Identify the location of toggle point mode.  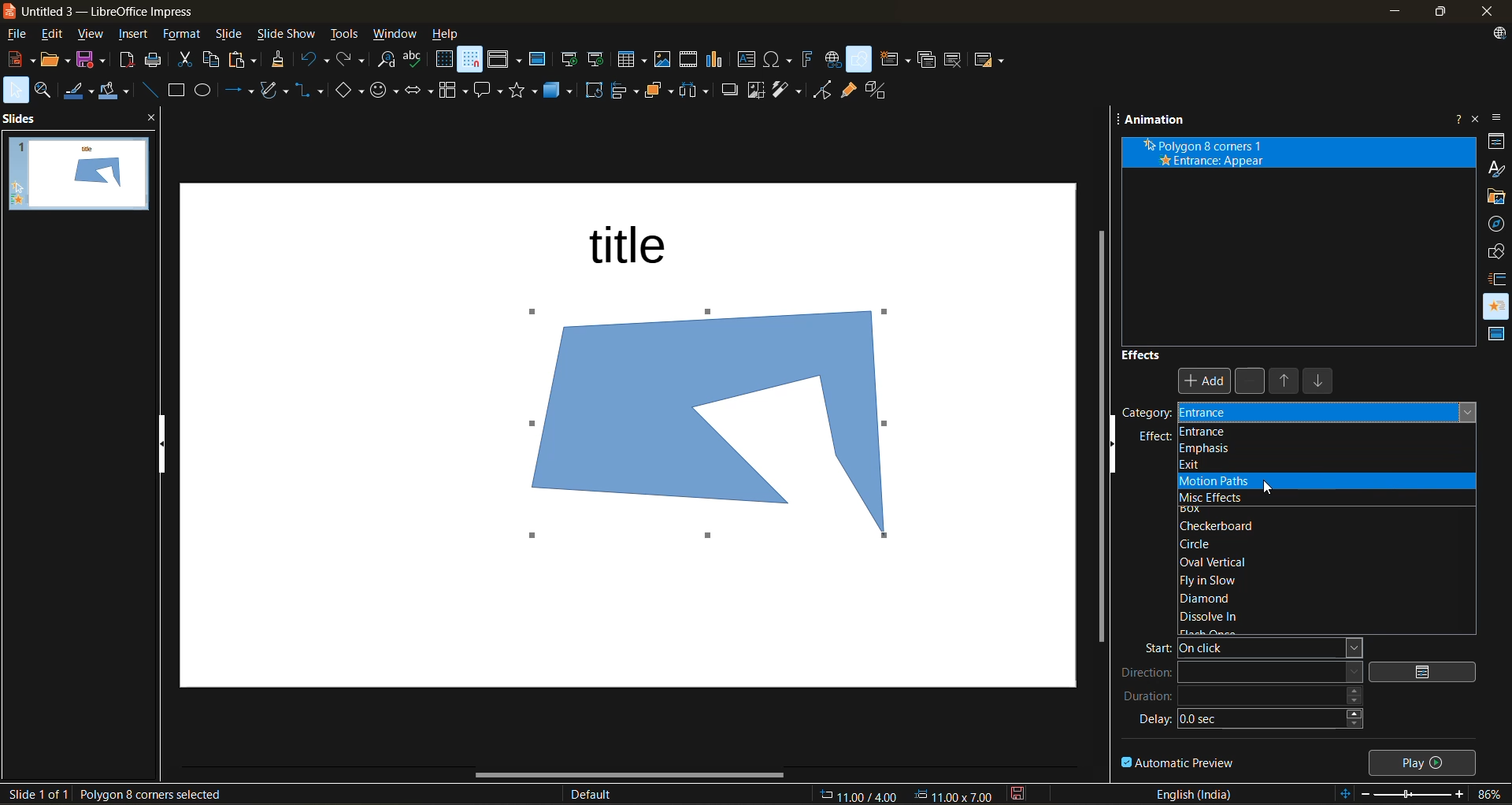
(823, 91).